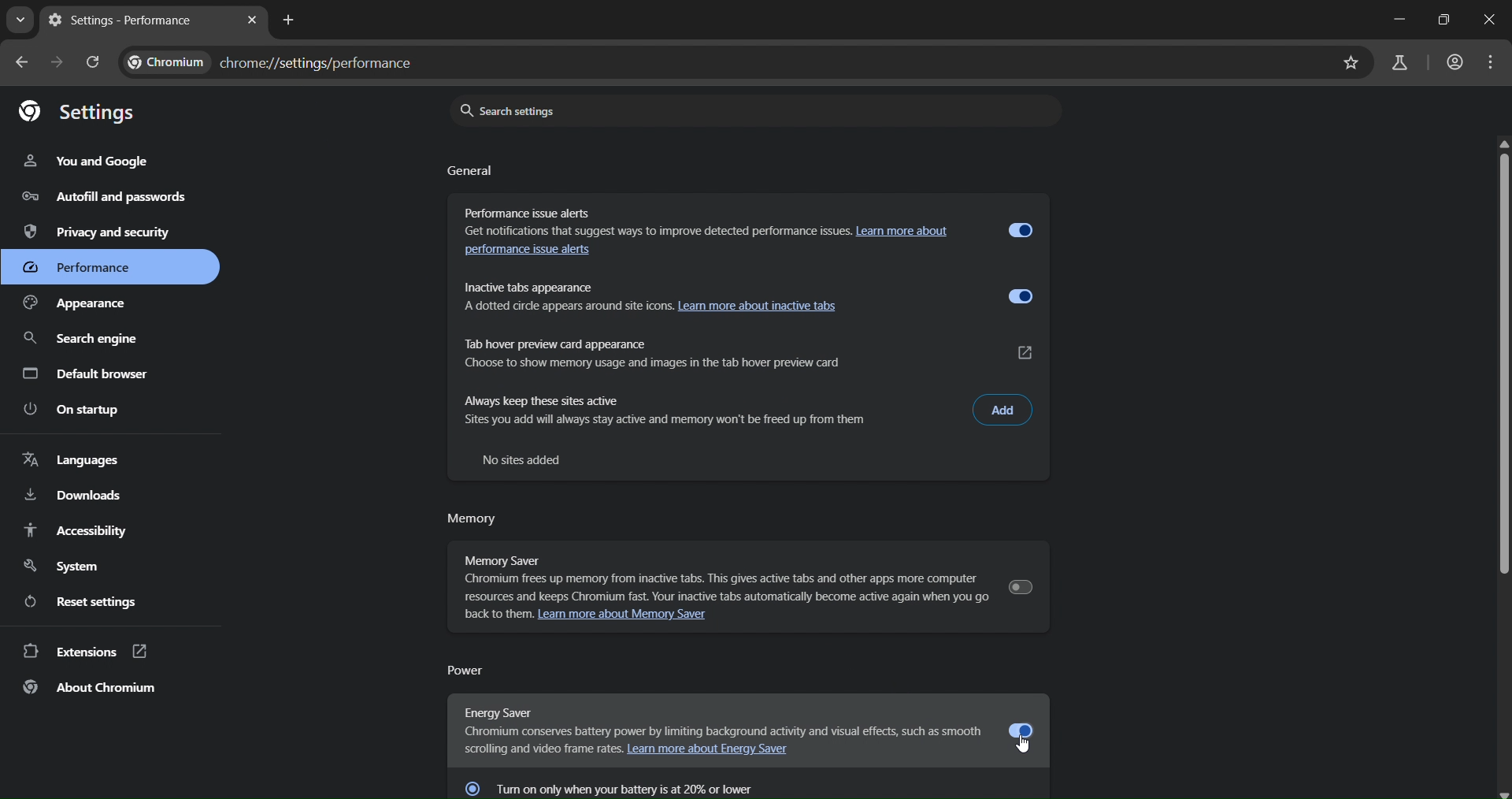 The width and height of the screenshot is (1512, 799). What do you see at coordinates (1350, 64) in the screenshot?
I see `bookmark page` at bounding box center [1350, 64].